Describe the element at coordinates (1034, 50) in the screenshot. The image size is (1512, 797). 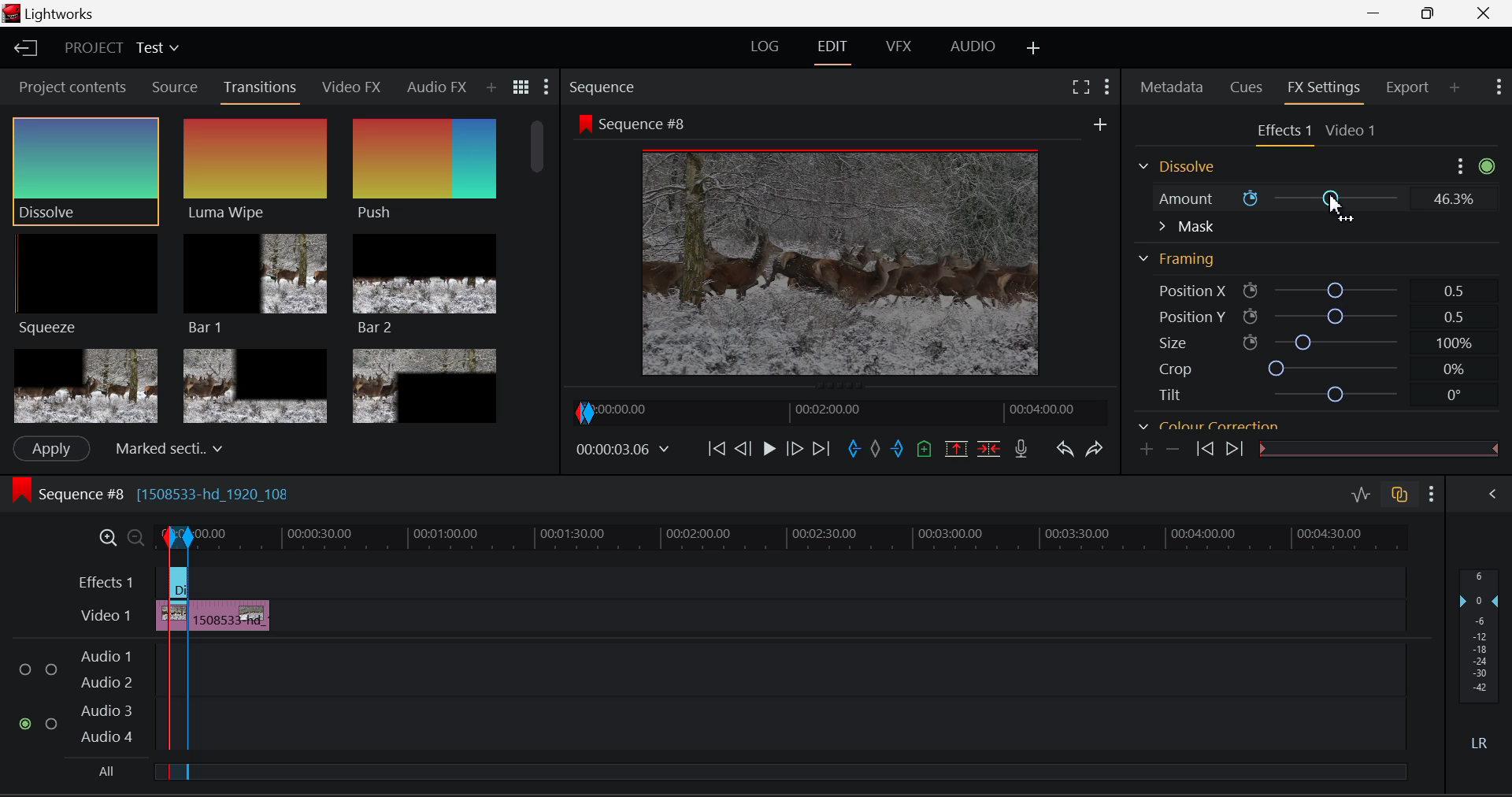
I see `Add Layout` at that location.